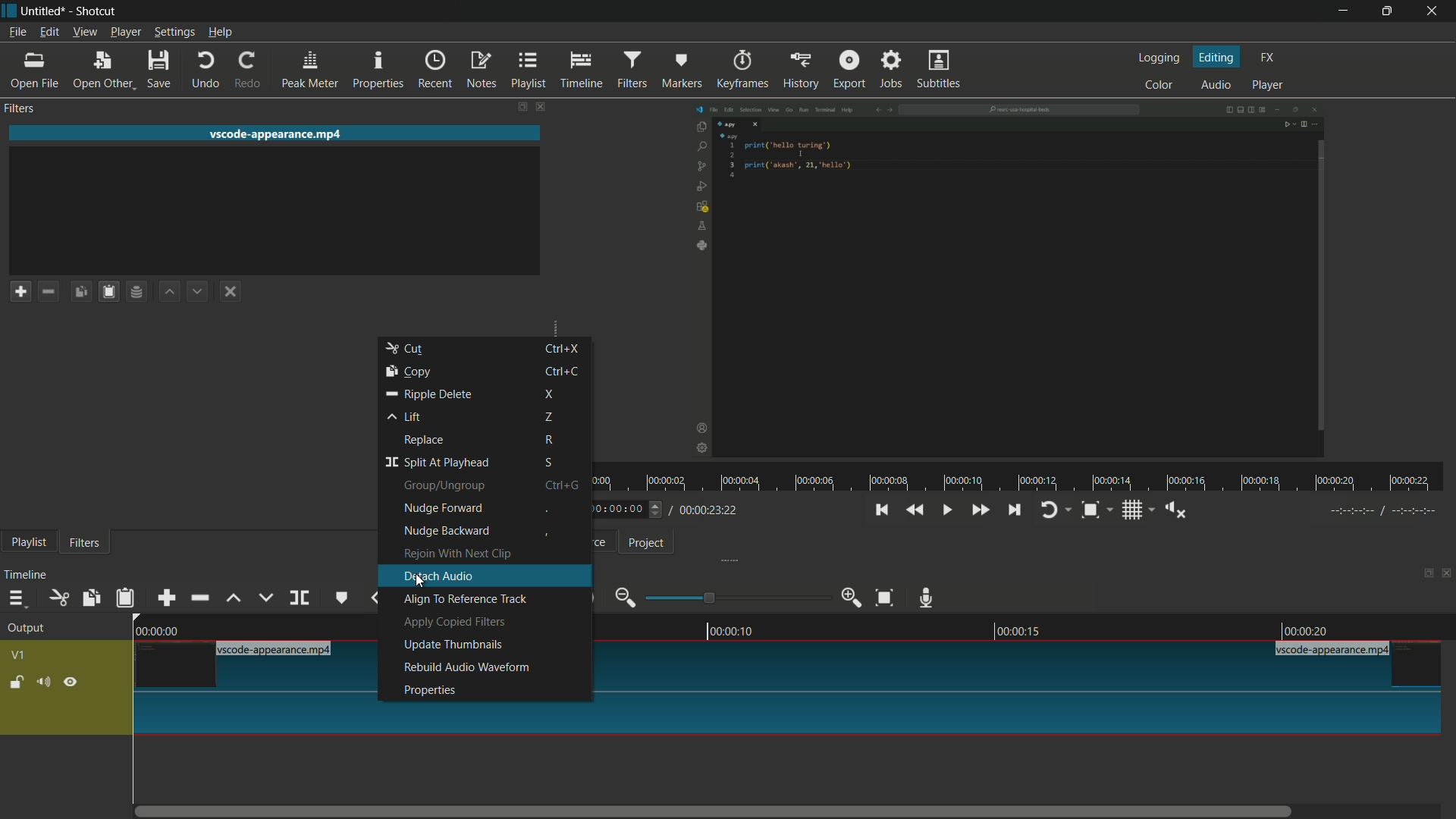 The width and height of the screenshot is (1456, 819). Describe the element at coordinates (1052, 510) in the screenshot. I see `toggle player looping` at that location.